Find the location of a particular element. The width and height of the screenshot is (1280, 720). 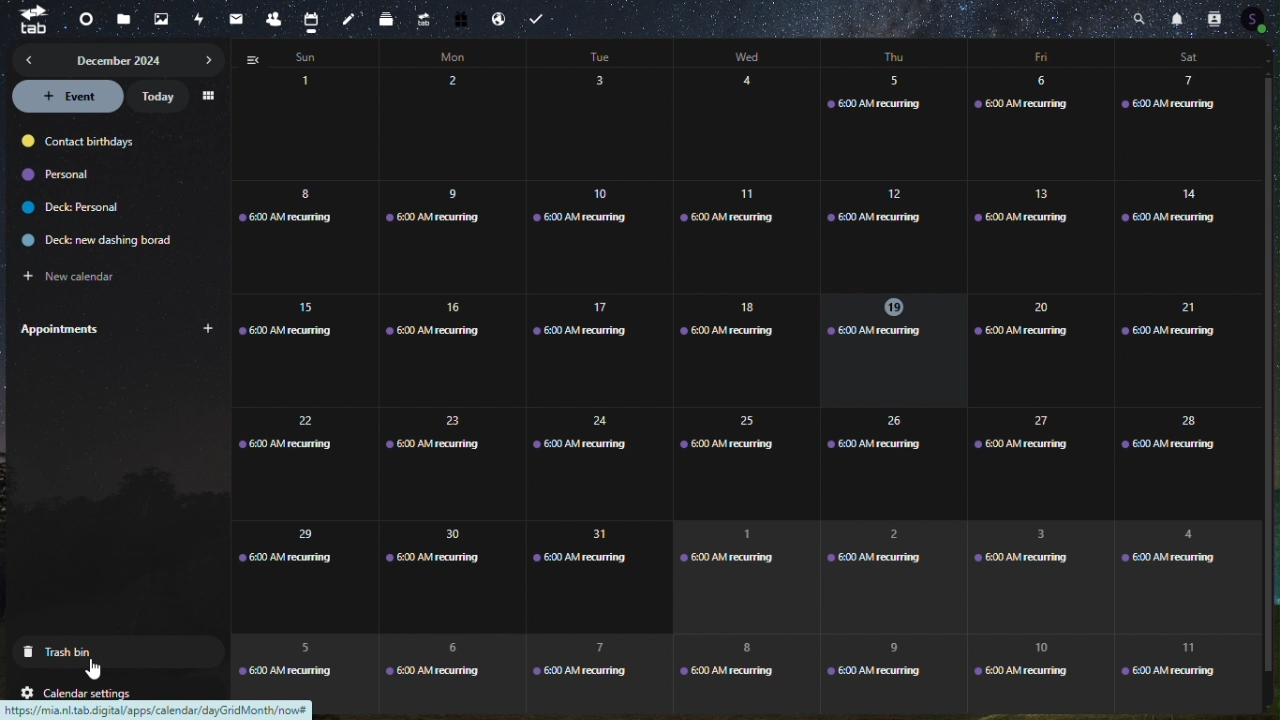

notes is located at coordinates (349, 19).